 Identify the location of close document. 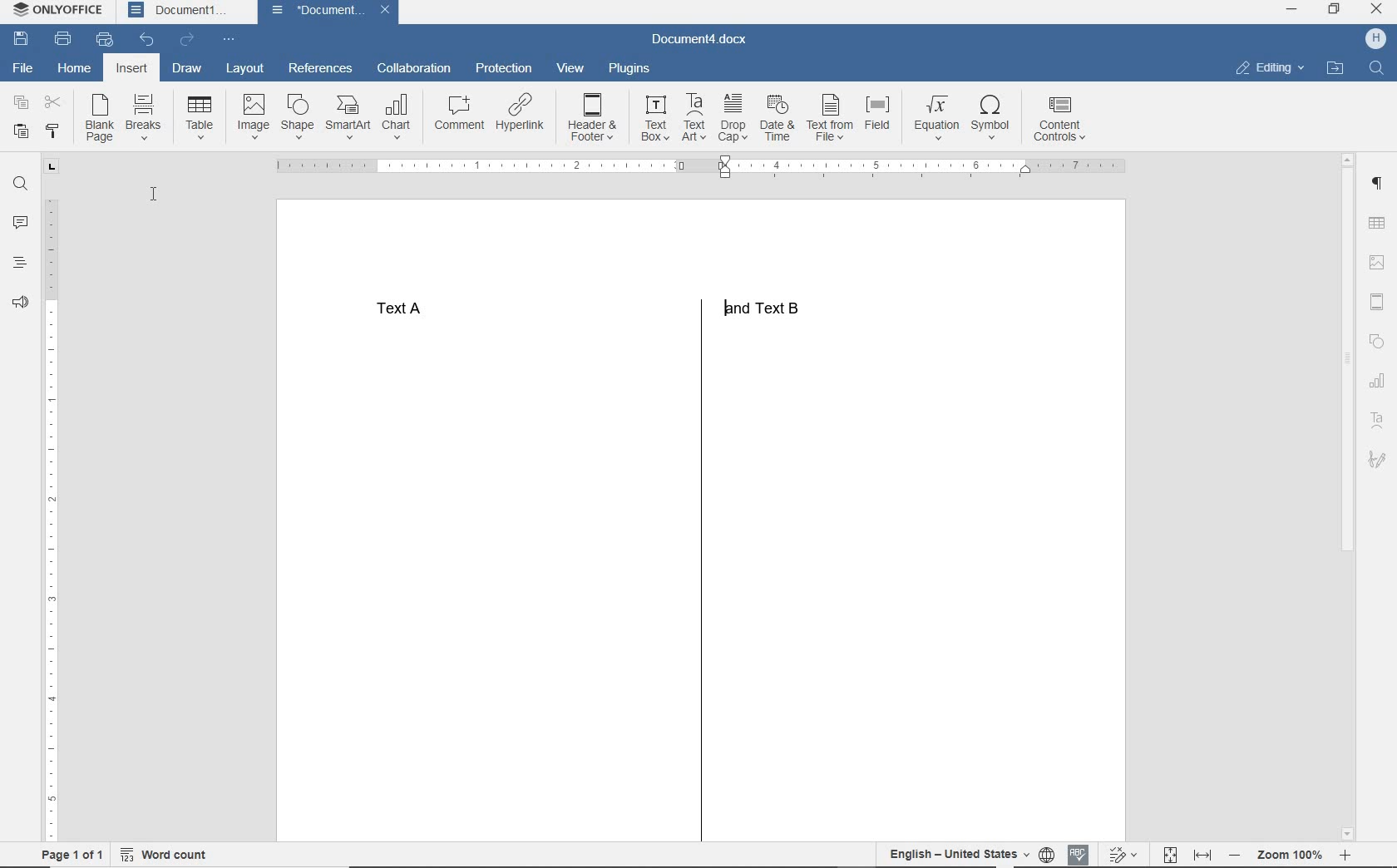
(389, 12).